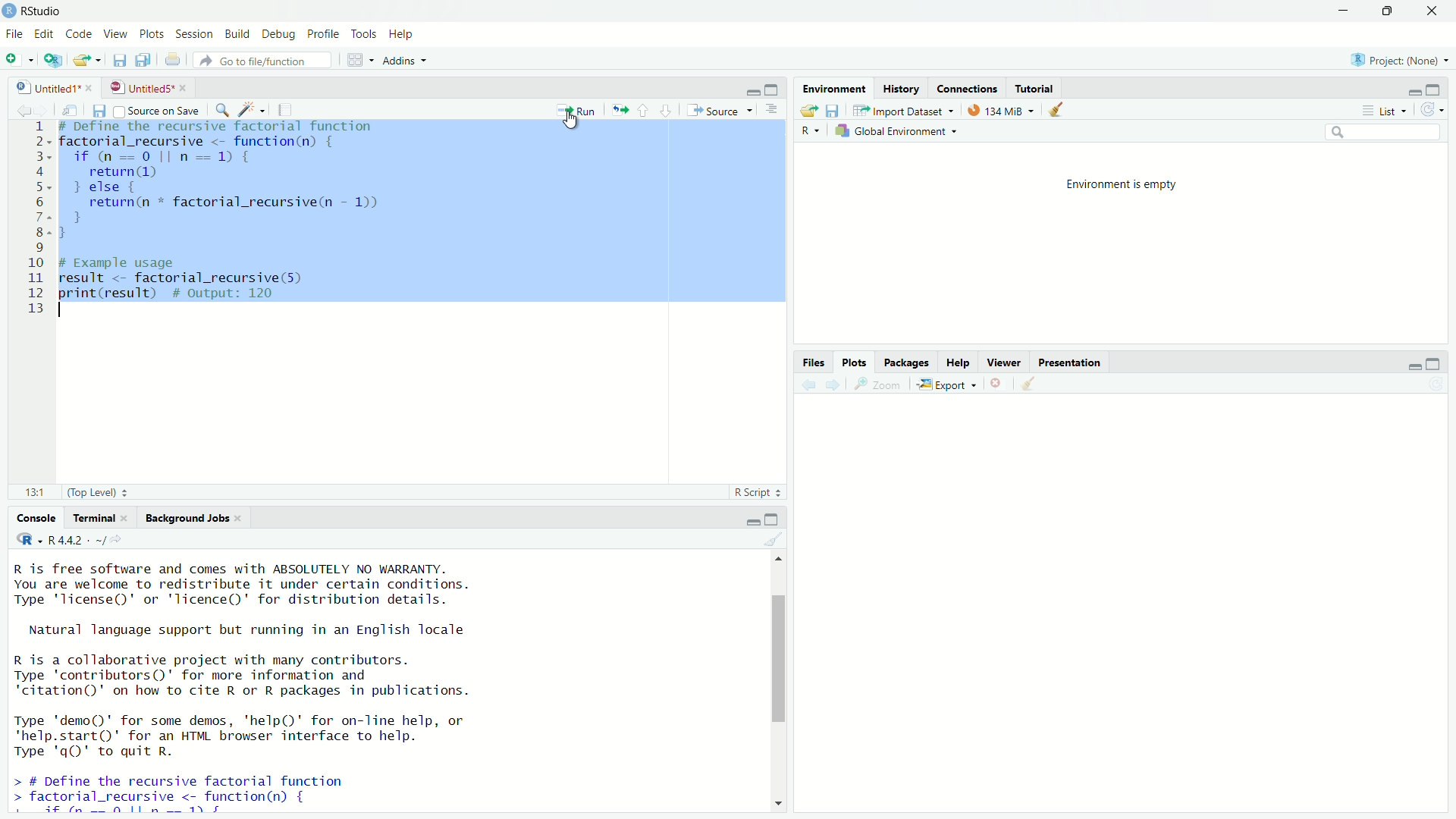 The height and width of the screenshot is (819, 1456). What do you see at coordinates (1119, 183) in the screenshot?
I see `Environment is empty` at bounding box center [1119, 183].